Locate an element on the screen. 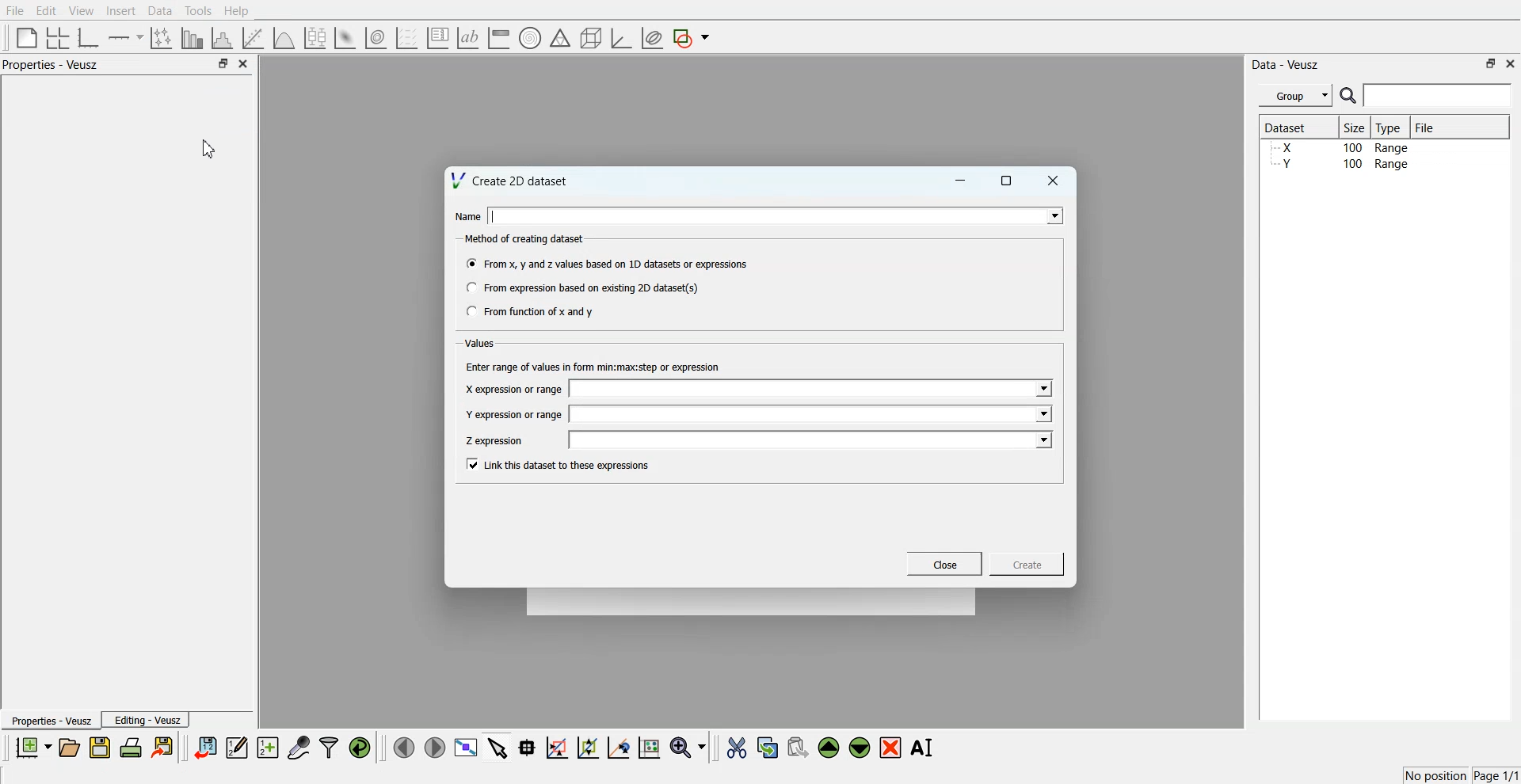  Size is located at coordinates (1355, 127).